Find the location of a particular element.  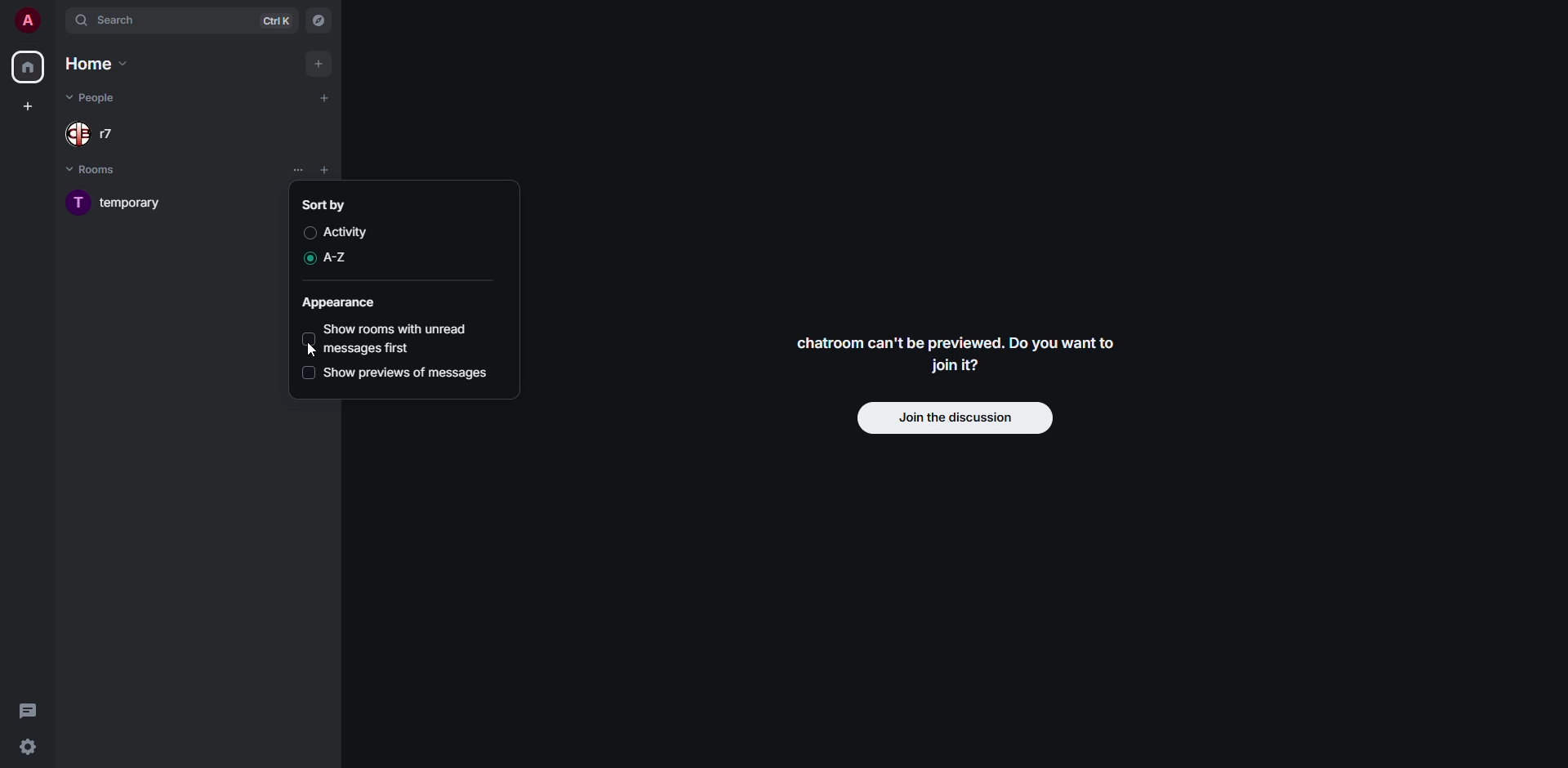

disabled is located at coordinates (309, 232).